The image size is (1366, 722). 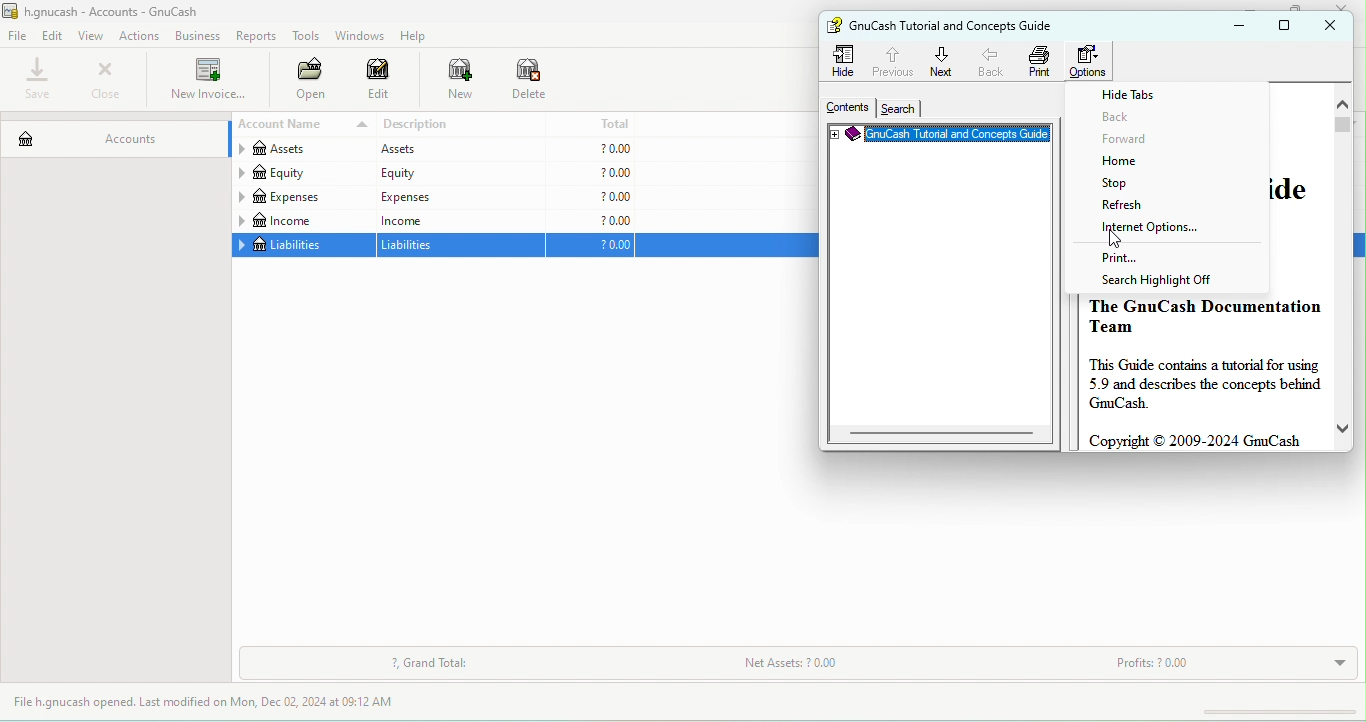 What do you see at coordinates (1343, 104) in the screenshot?
I see `move up` at bounding box center [1343, 104].